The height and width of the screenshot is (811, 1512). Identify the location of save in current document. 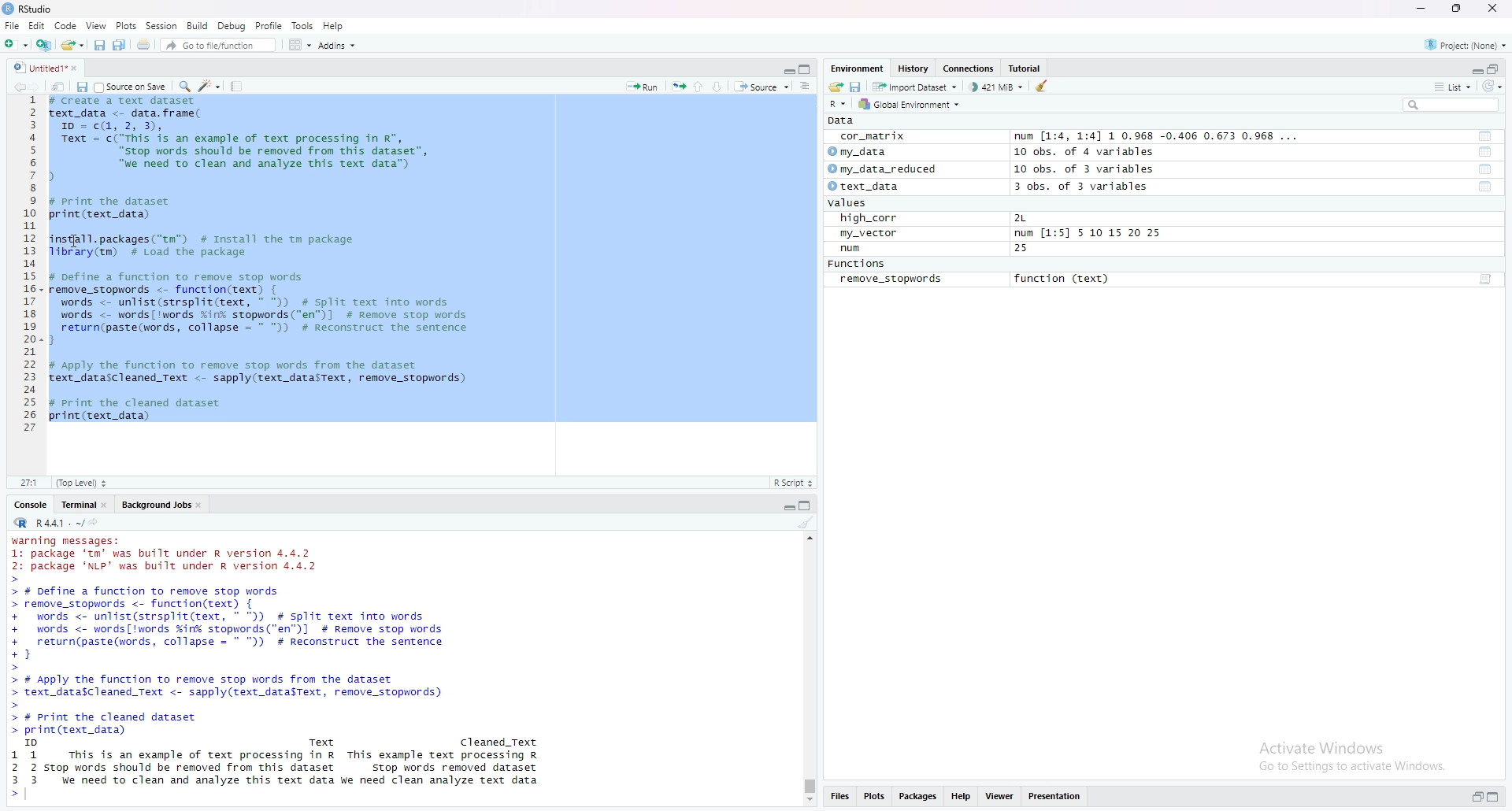
(82, 87).